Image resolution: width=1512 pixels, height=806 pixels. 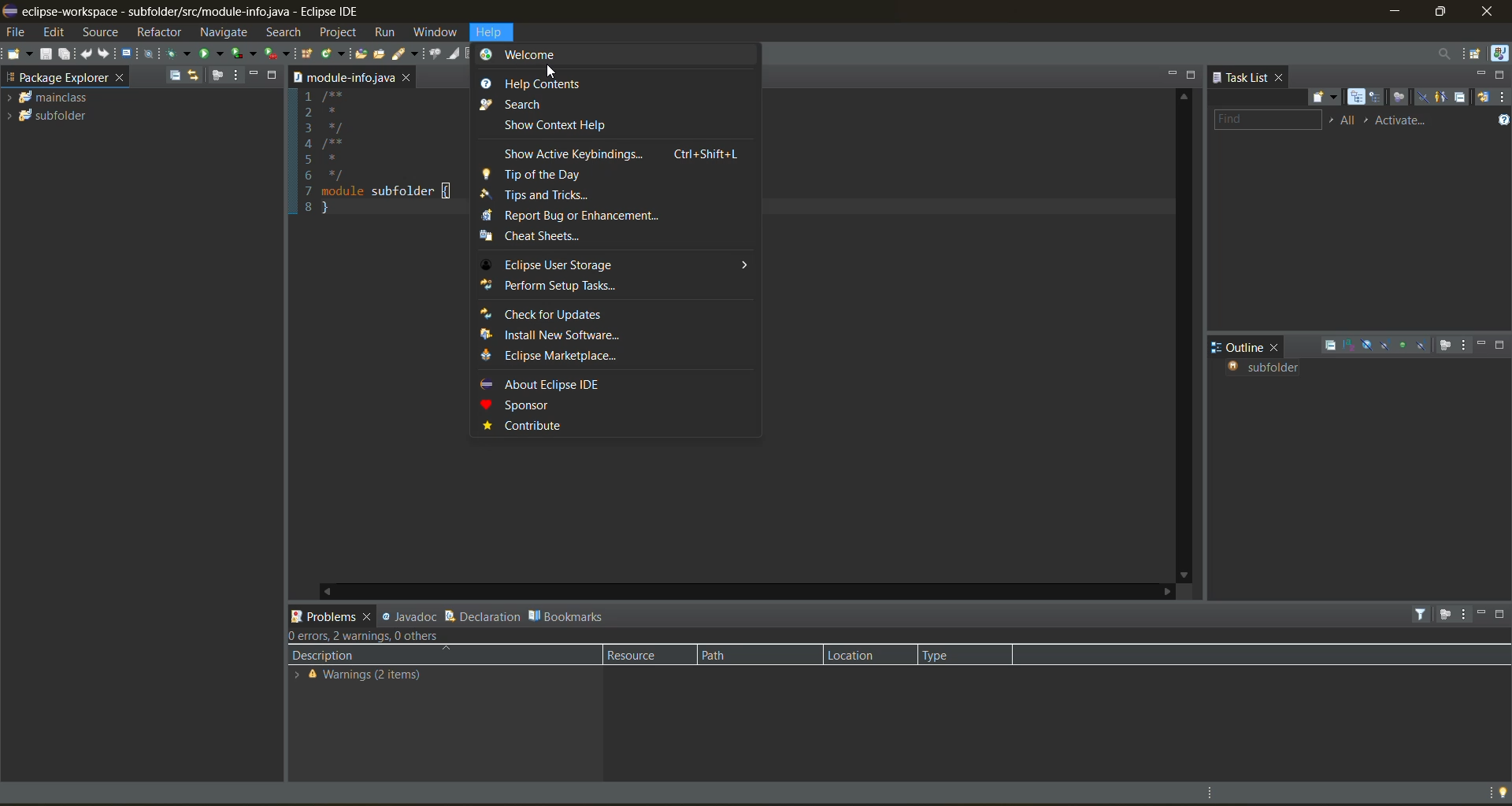 What do you see at coordinates (274, 76) in the screenshot?
I see `maximize` at bounding box center [274, 76].